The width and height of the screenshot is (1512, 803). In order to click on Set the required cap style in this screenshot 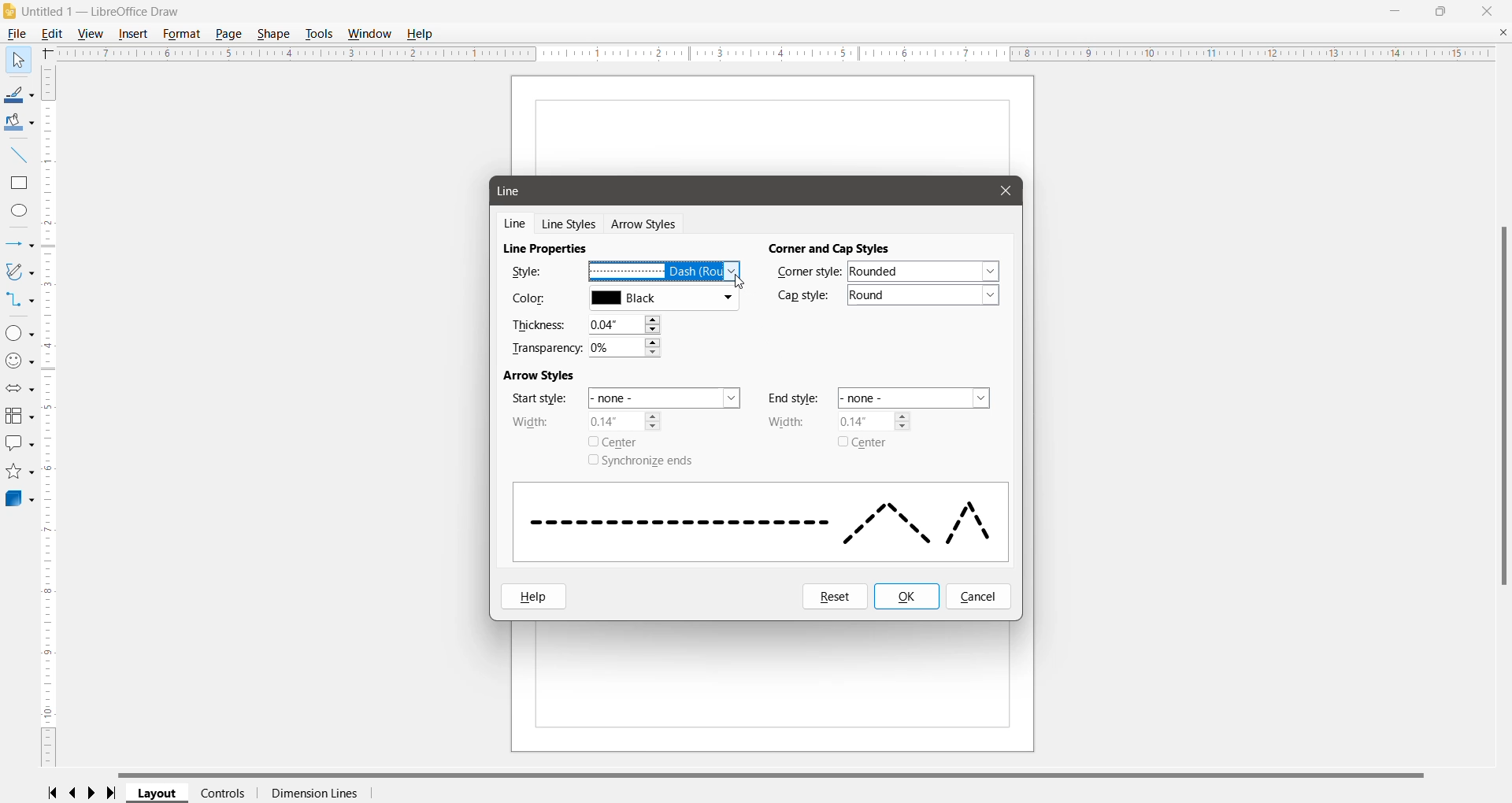, I will do `click(923, 295)`.